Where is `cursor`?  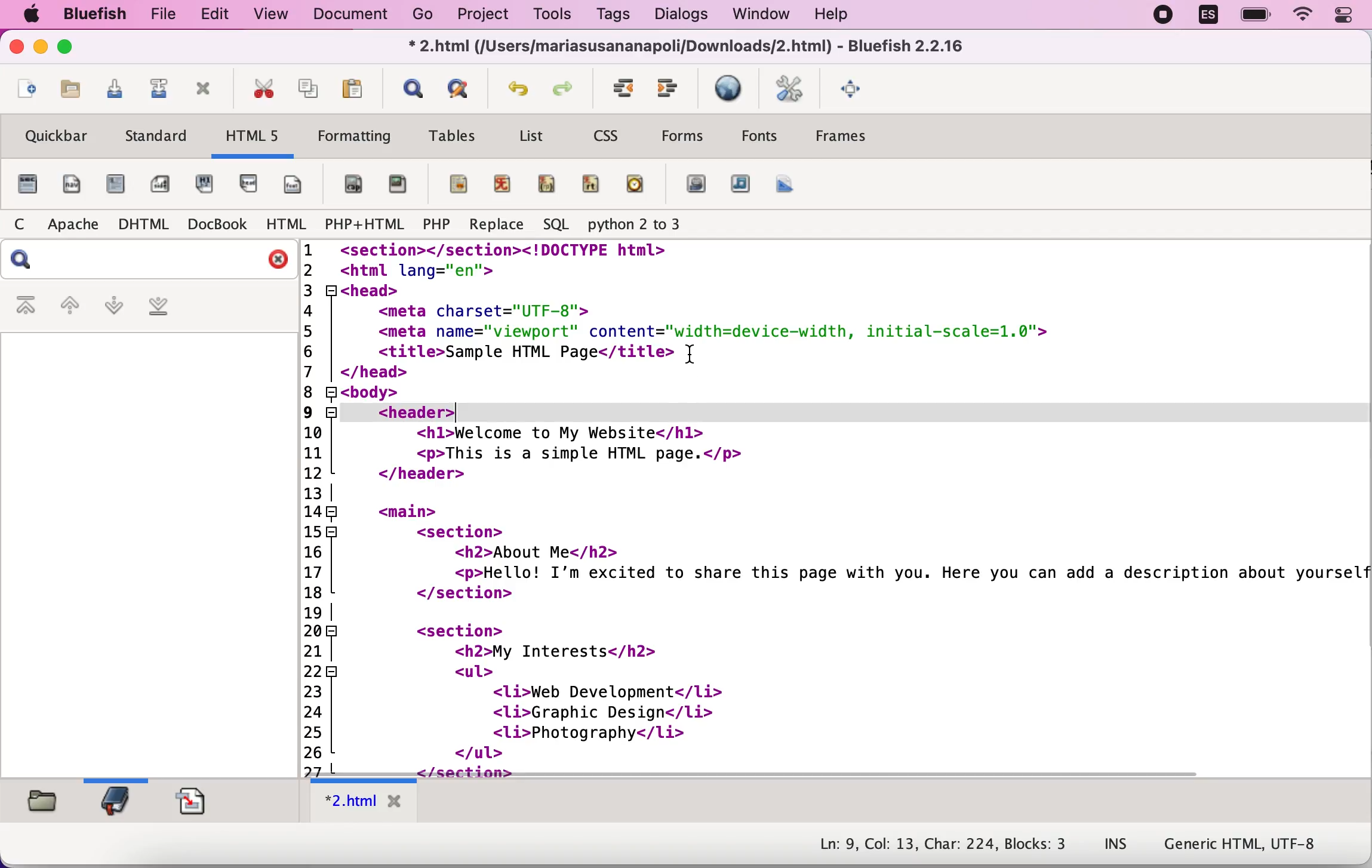 cursor is located at coordinates (697, 359).